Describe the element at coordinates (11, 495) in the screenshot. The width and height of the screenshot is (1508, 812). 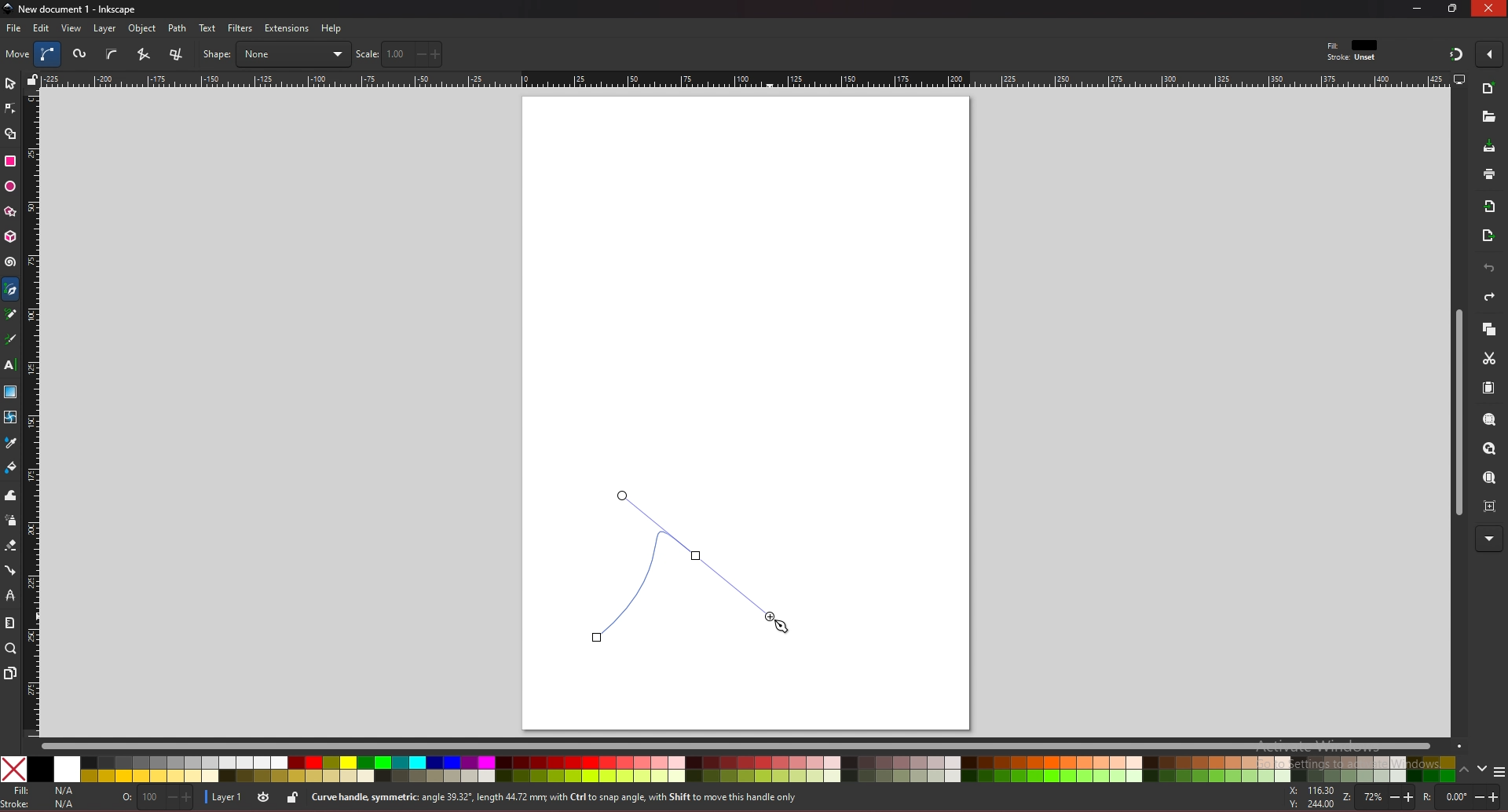
I see `tweak` at that location.